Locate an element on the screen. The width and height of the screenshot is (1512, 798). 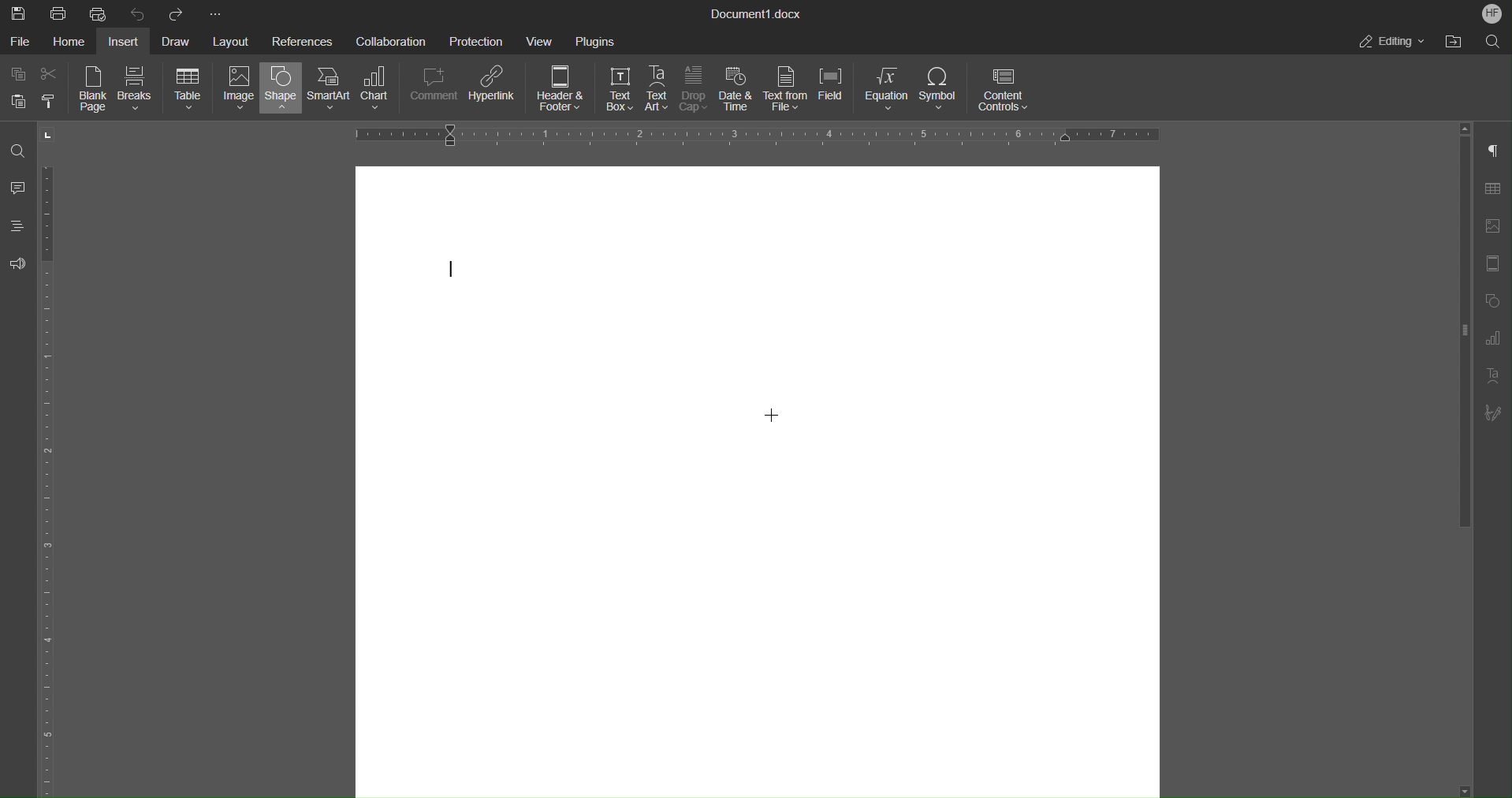
Page Settings is located at coordinates (1496, 263).